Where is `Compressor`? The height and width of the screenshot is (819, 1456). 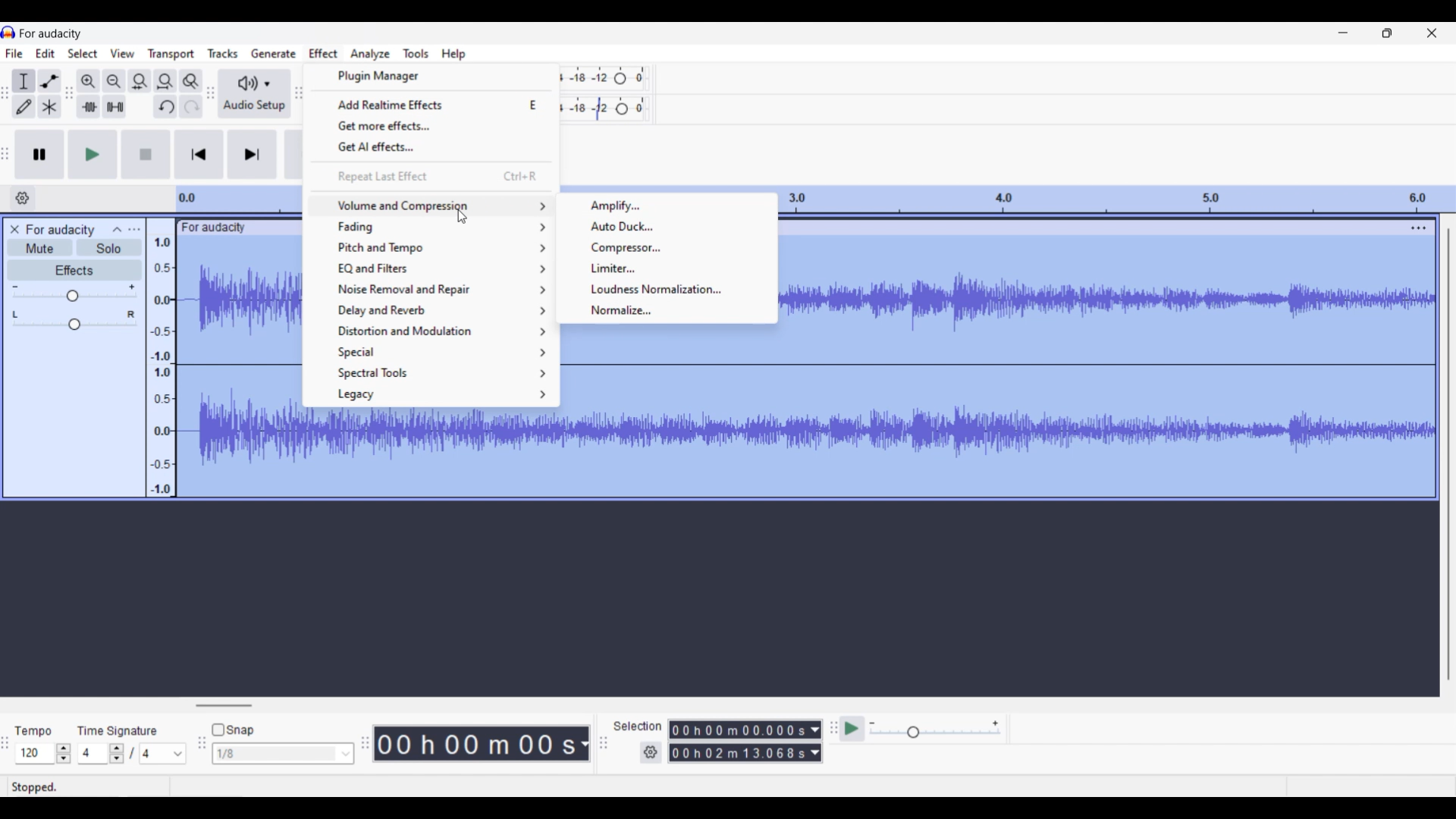
Compressor is located at coordinates (667, 248).